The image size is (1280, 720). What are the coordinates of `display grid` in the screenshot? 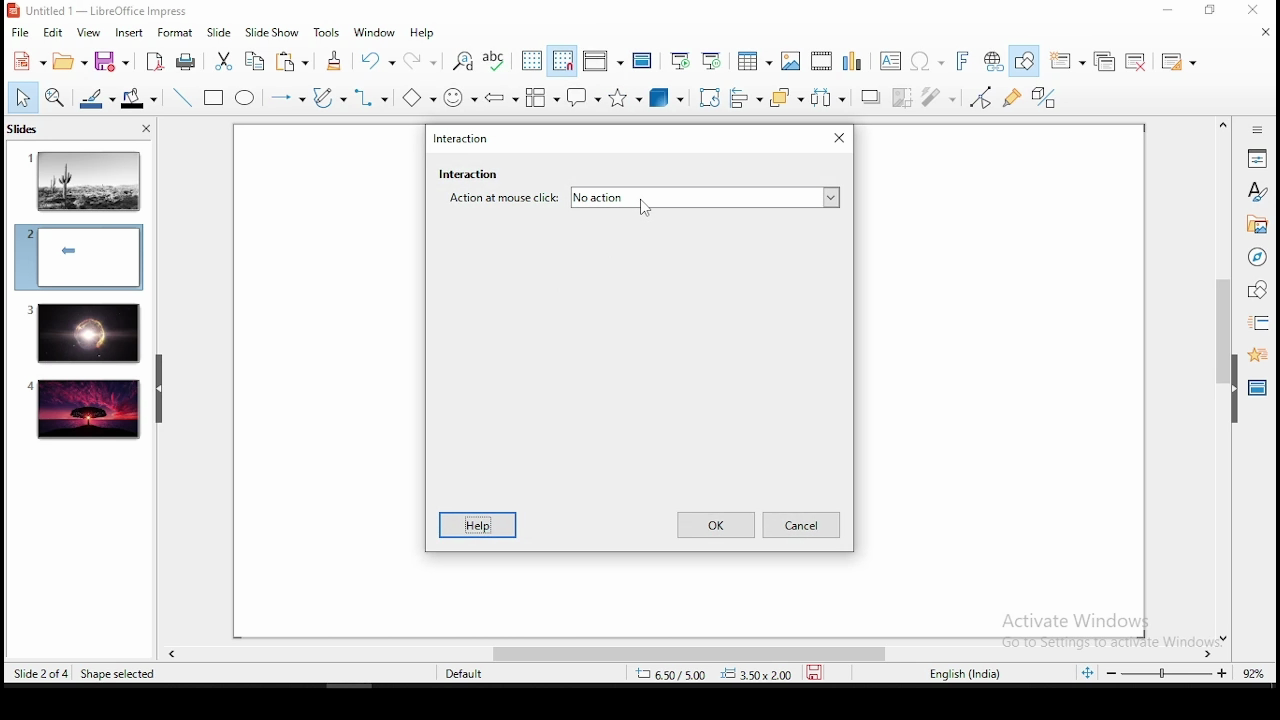 It's located at (531, 60).